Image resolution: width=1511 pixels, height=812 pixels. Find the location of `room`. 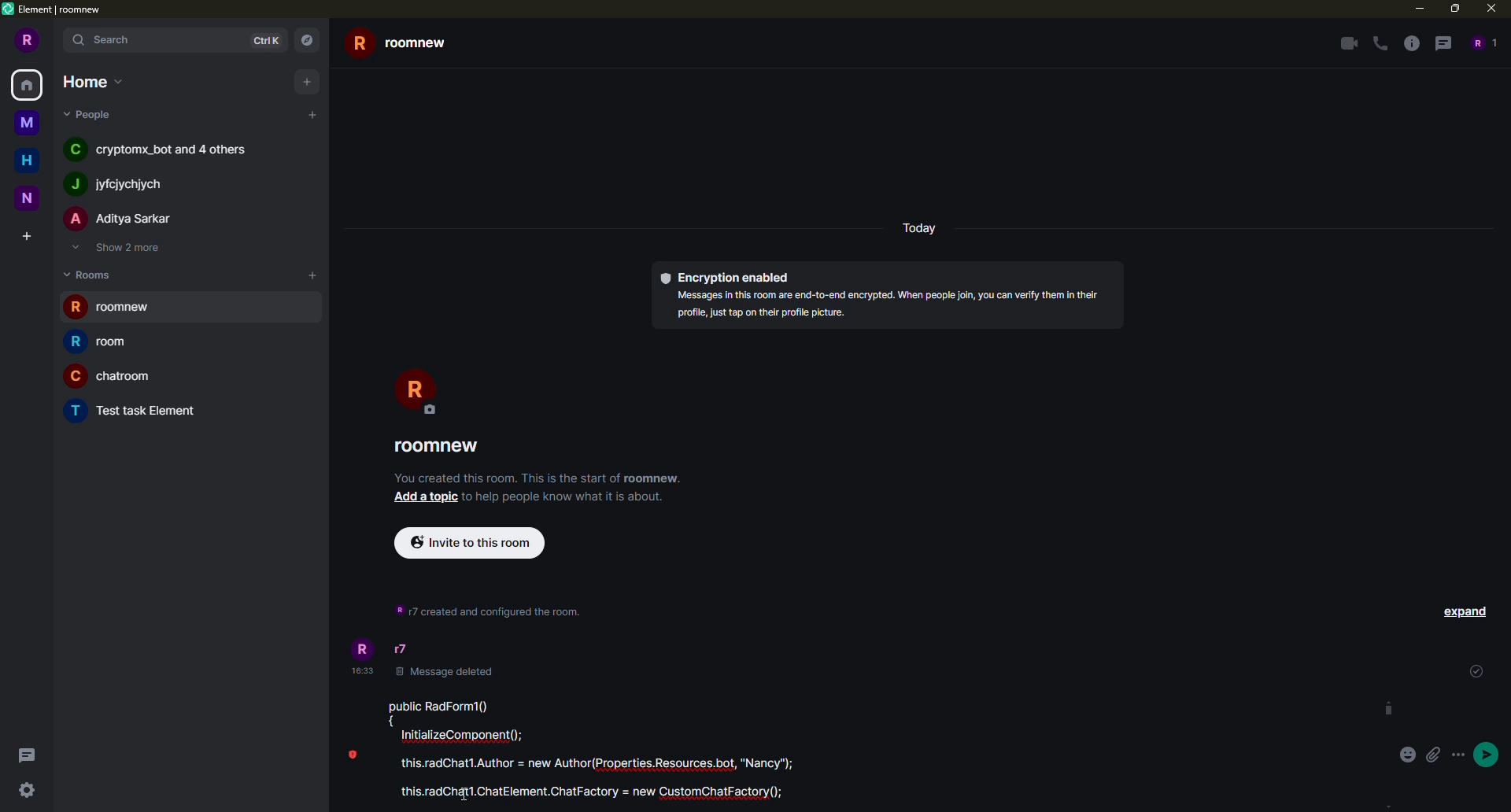

room is located at coordinates (110, 306).